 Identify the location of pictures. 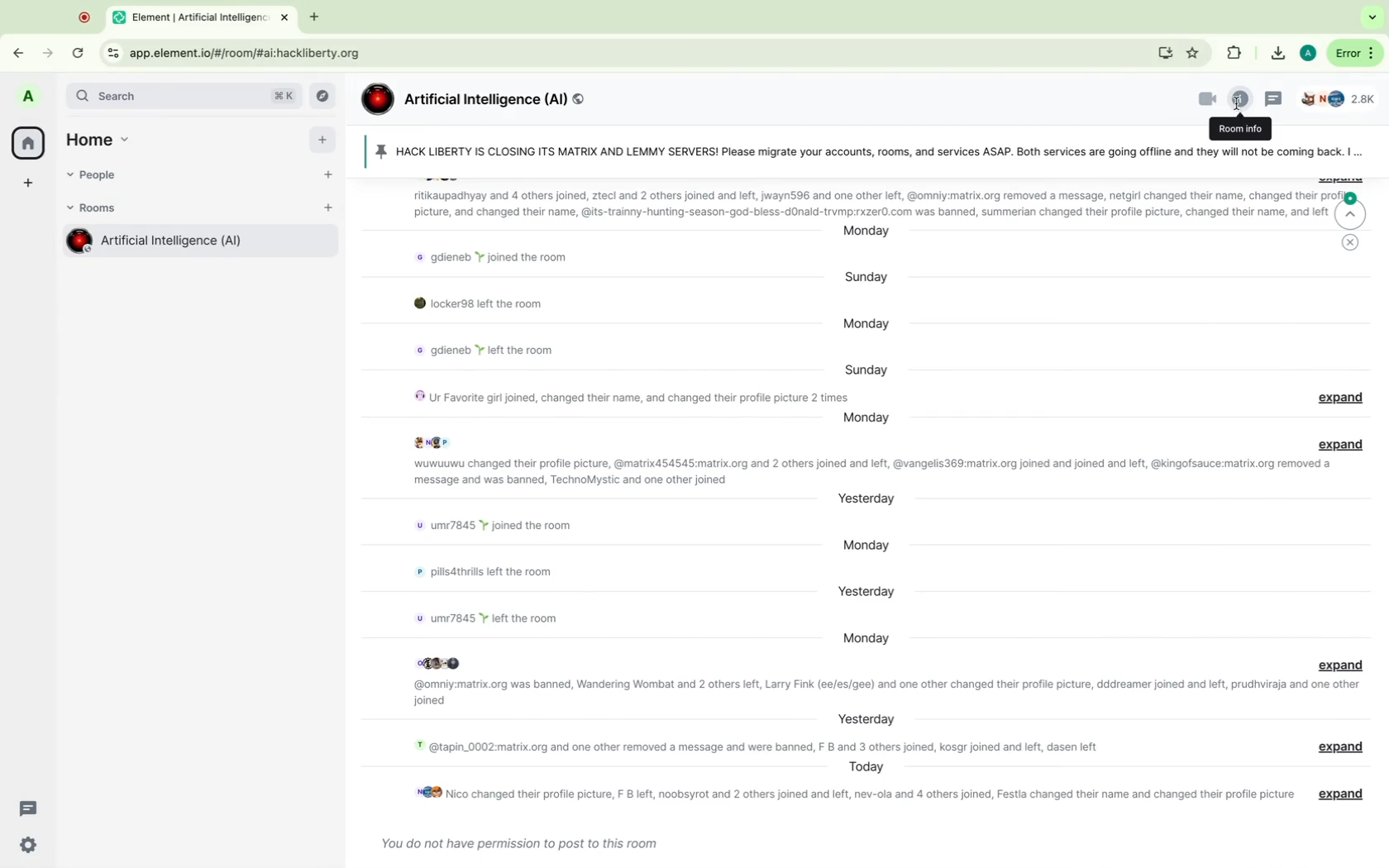
(445, 661).